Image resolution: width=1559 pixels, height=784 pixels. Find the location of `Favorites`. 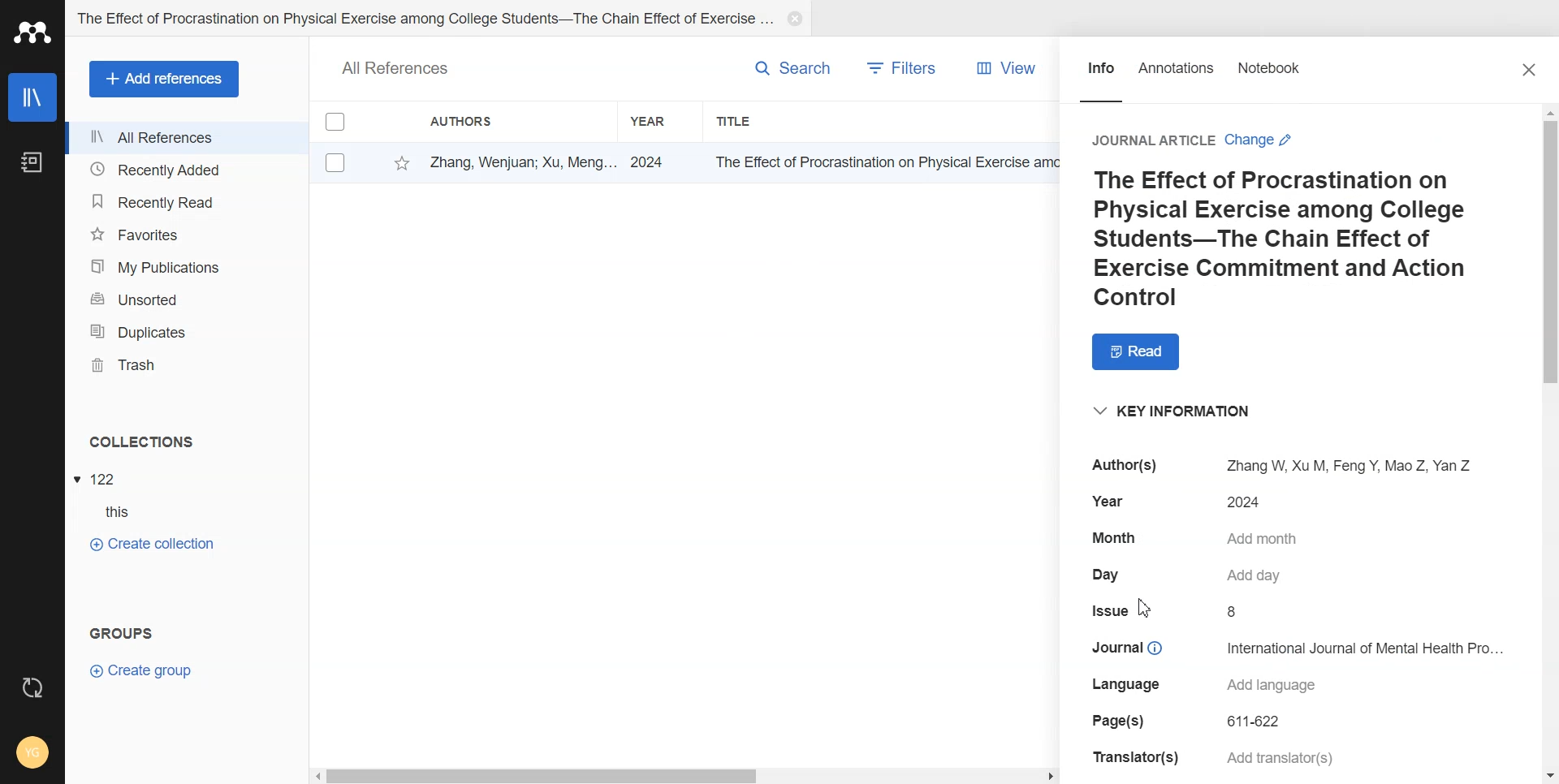

Favorites is located at coordinates (187, 234).